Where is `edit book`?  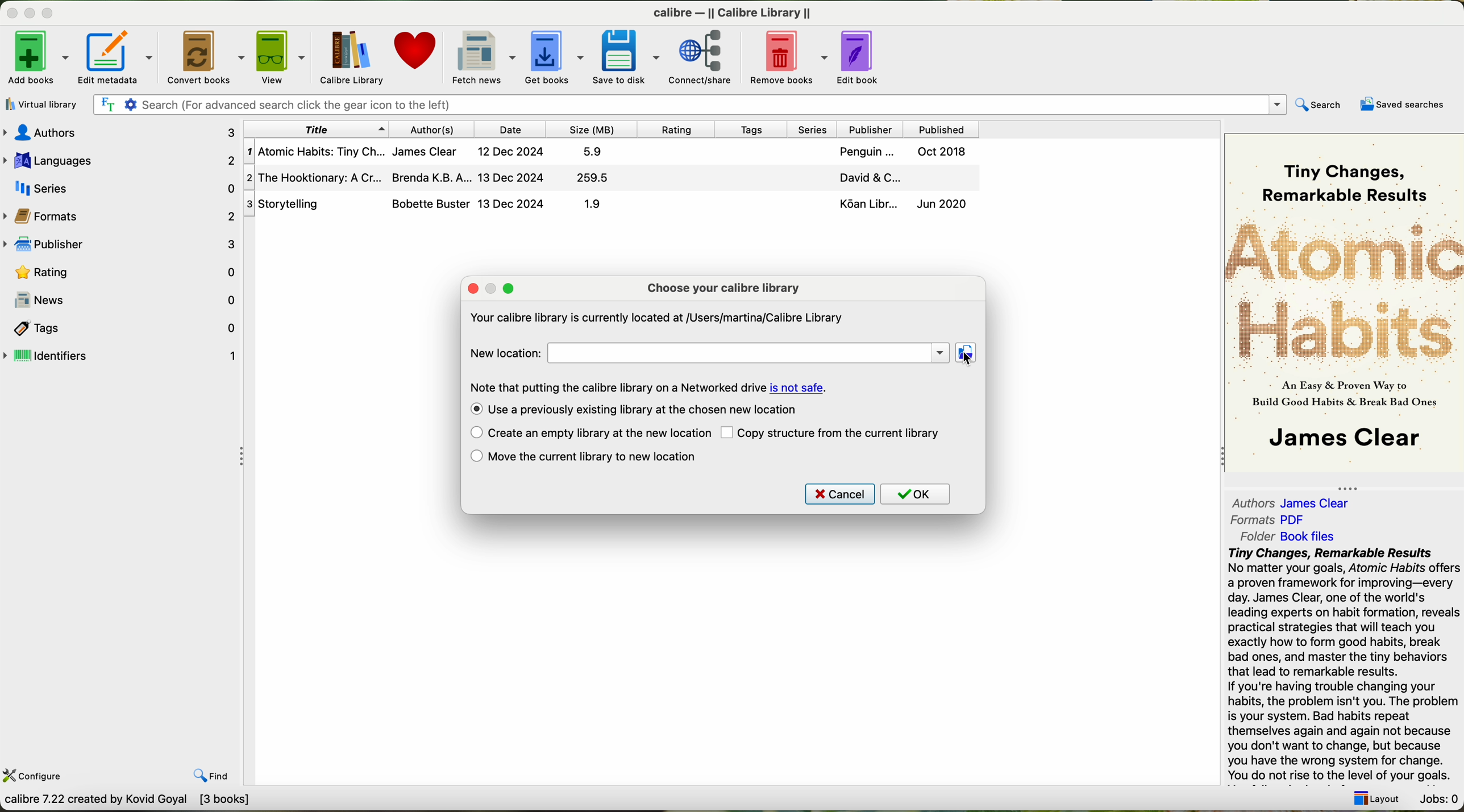 edit book is located at coordinates (863, 57).